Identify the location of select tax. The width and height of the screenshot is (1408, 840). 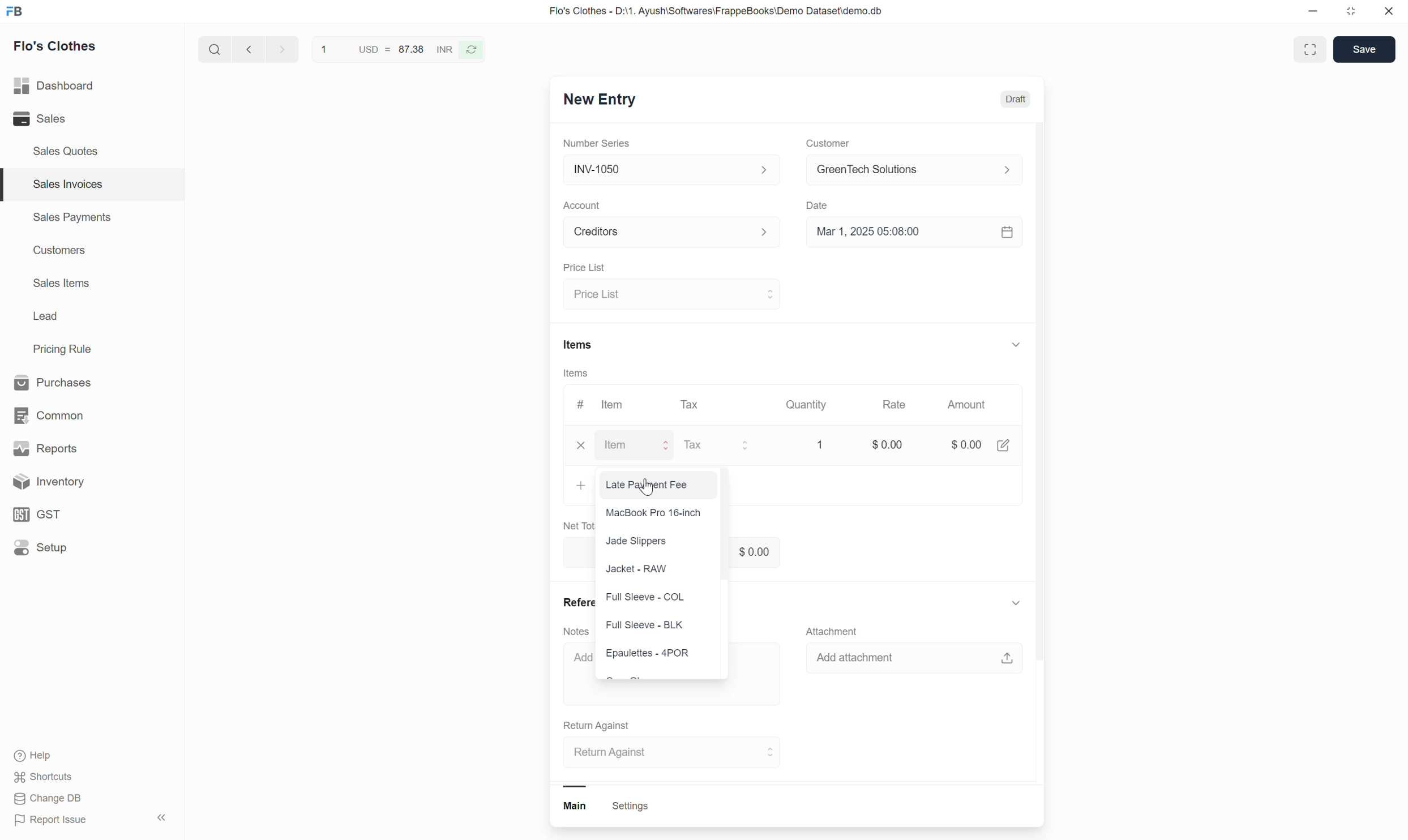
(718, 444).